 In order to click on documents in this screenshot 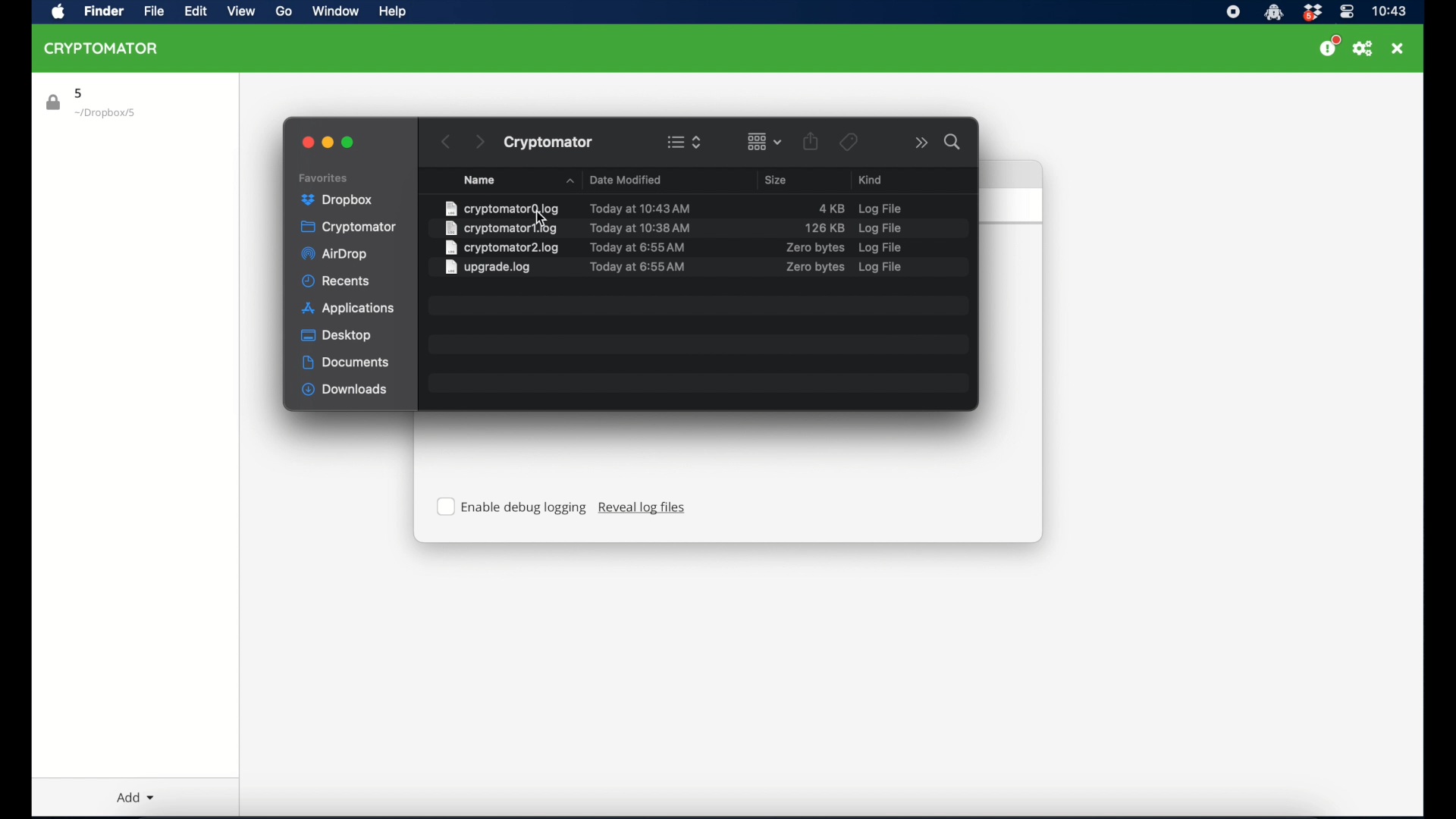, I will do `click(350, 363)`.